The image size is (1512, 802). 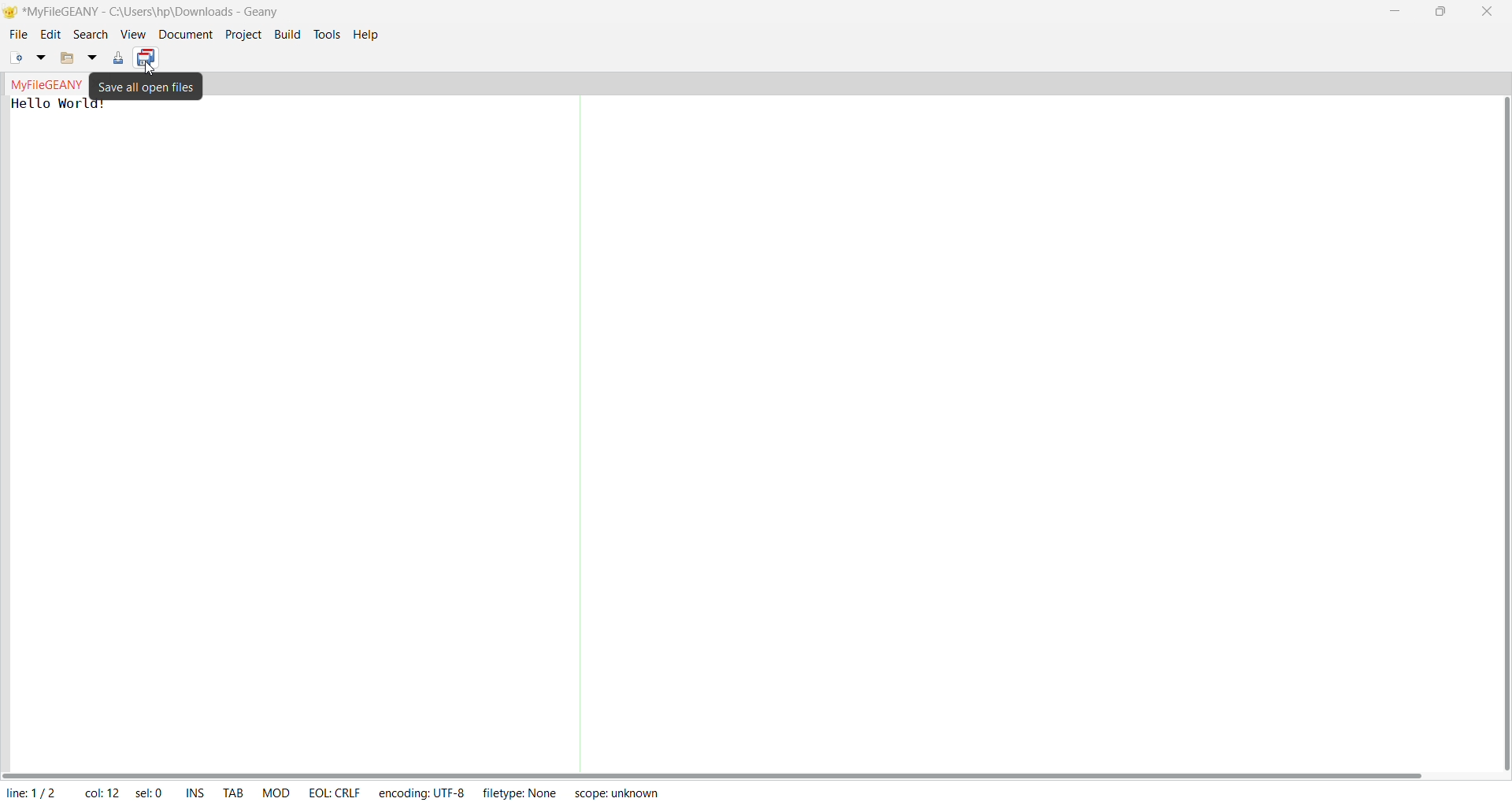 I want to click on Build, so click(x=287, y=36).